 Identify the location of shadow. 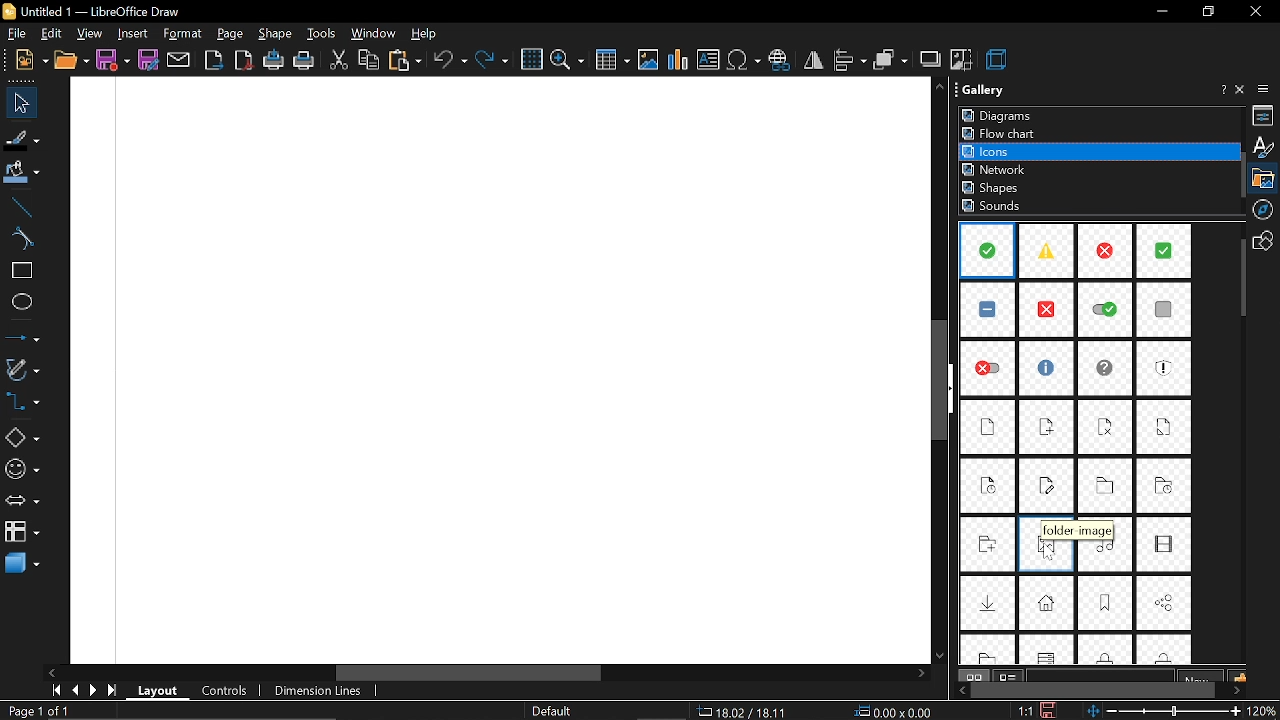
(930, 60).